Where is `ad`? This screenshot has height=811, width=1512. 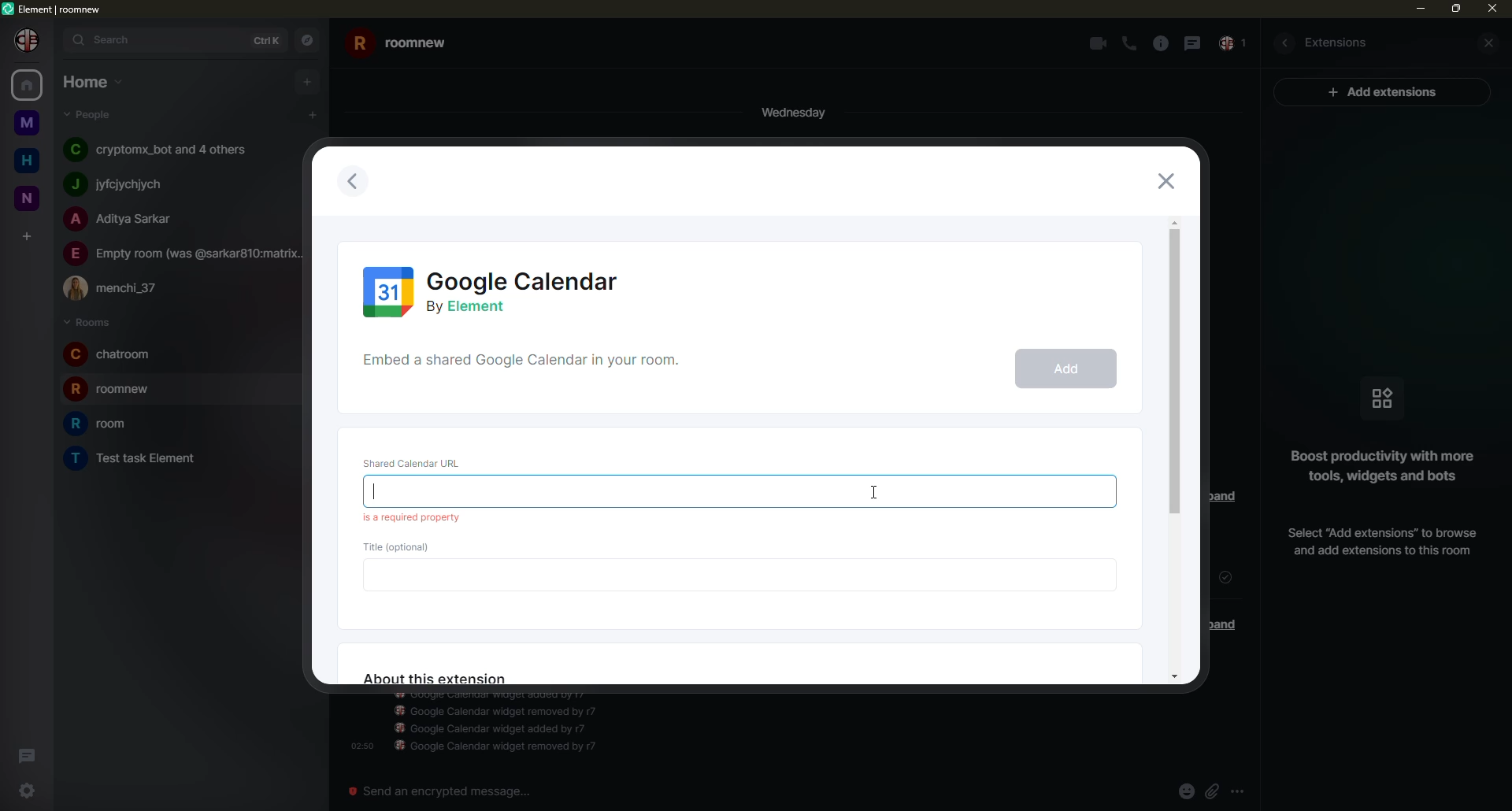
ad is located at coordinates (1389, 93).